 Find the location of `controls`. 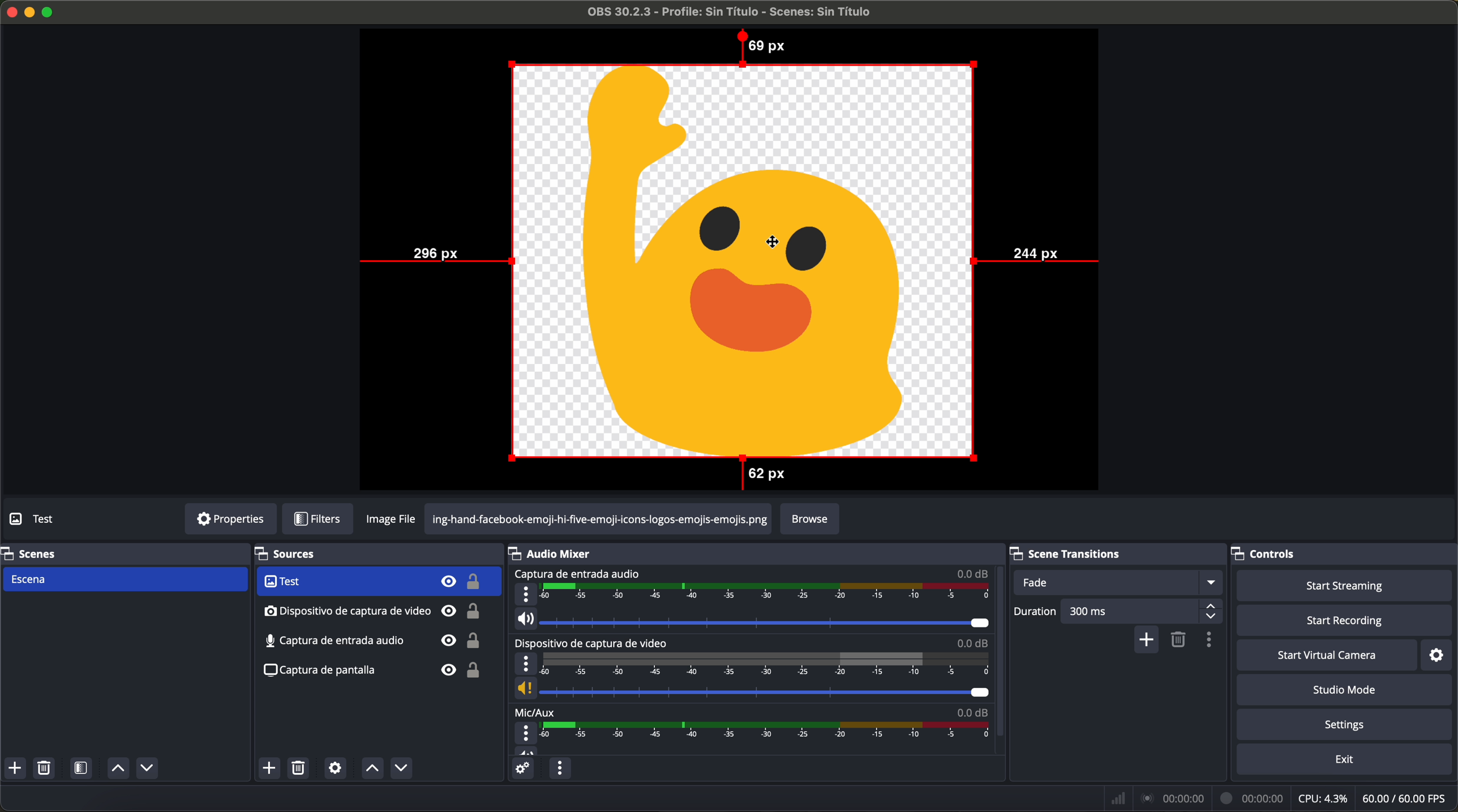

controls is located at coordinates (1274, 551).